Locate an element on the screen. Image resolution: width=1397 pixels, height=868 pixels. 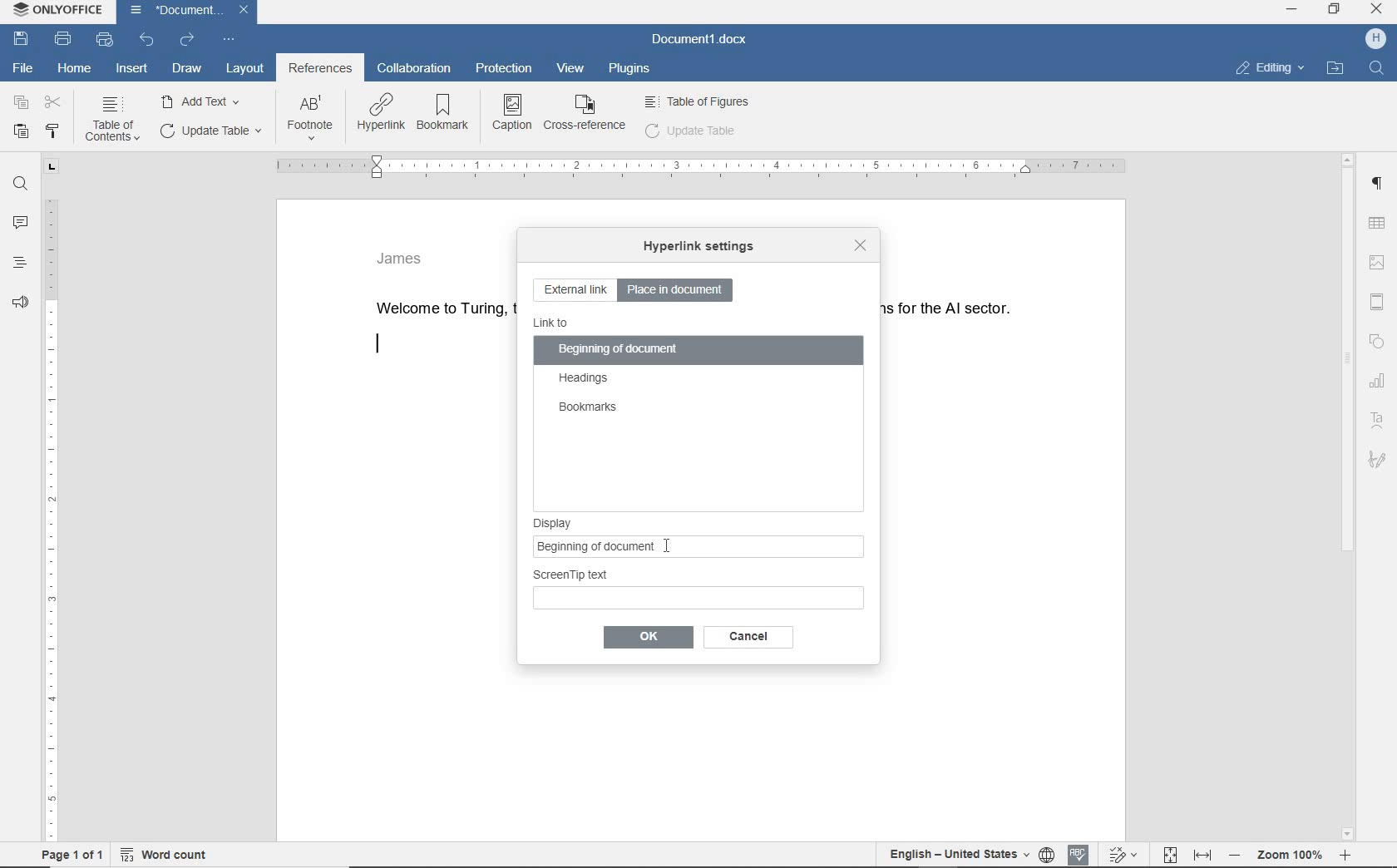
customize quick access bar is located at coordinates (227, 40).